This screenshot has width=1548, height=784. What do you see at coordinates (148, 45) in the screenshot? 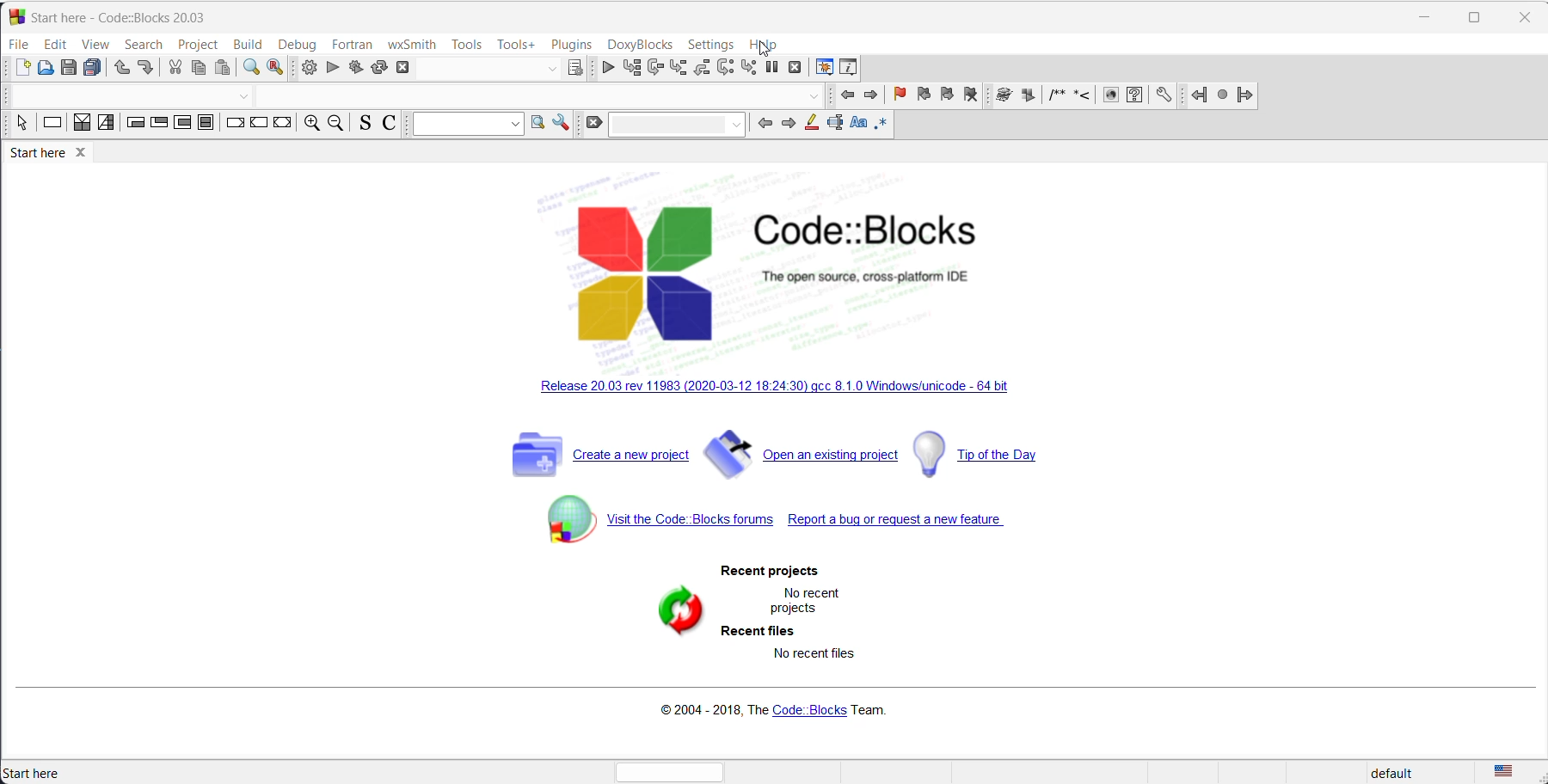
I see `search` at bounding box center [148, 45].